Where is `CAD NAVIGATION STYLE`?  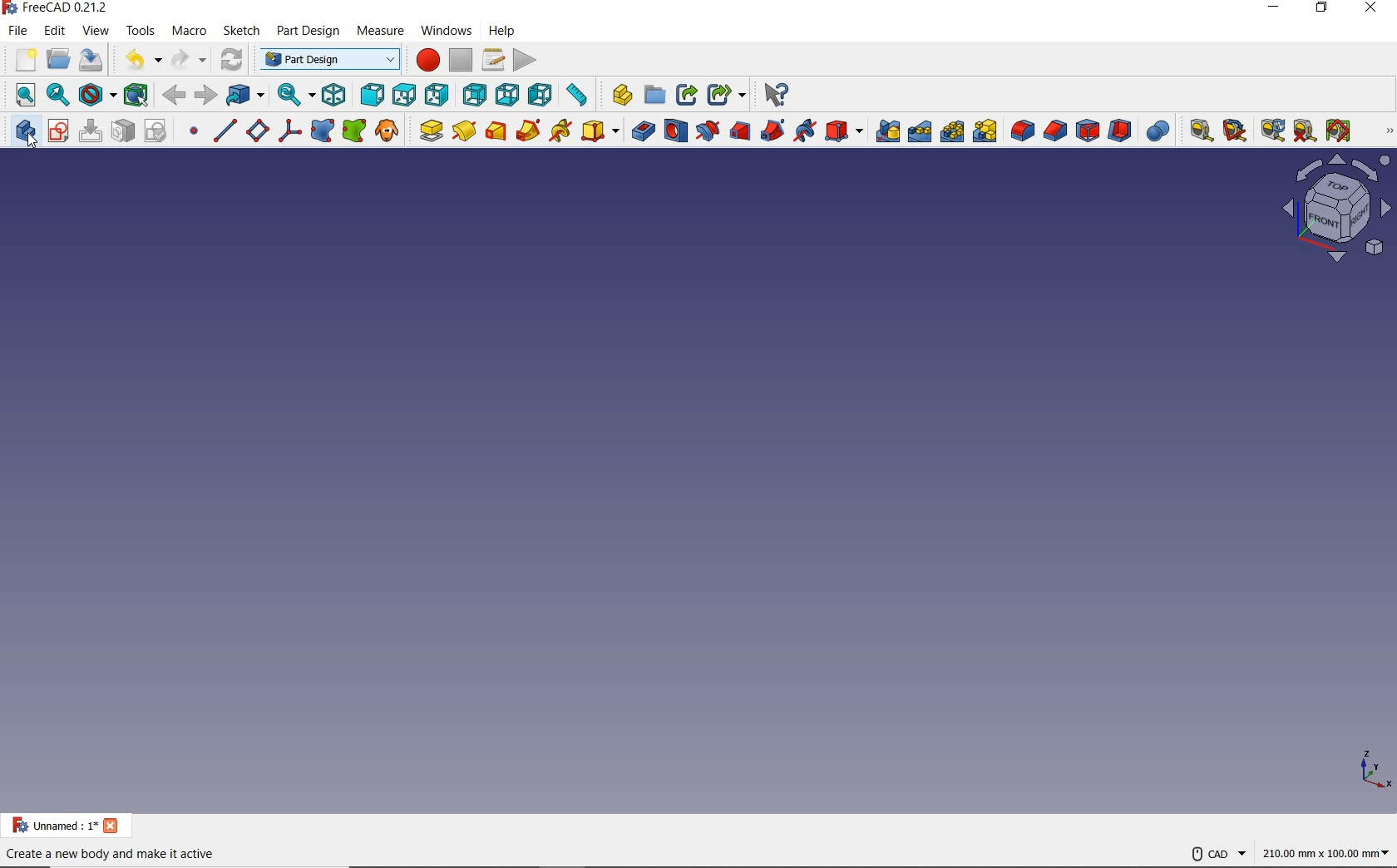
CAD NAVIGATION STYLE is located at coordinates (1214, 855).